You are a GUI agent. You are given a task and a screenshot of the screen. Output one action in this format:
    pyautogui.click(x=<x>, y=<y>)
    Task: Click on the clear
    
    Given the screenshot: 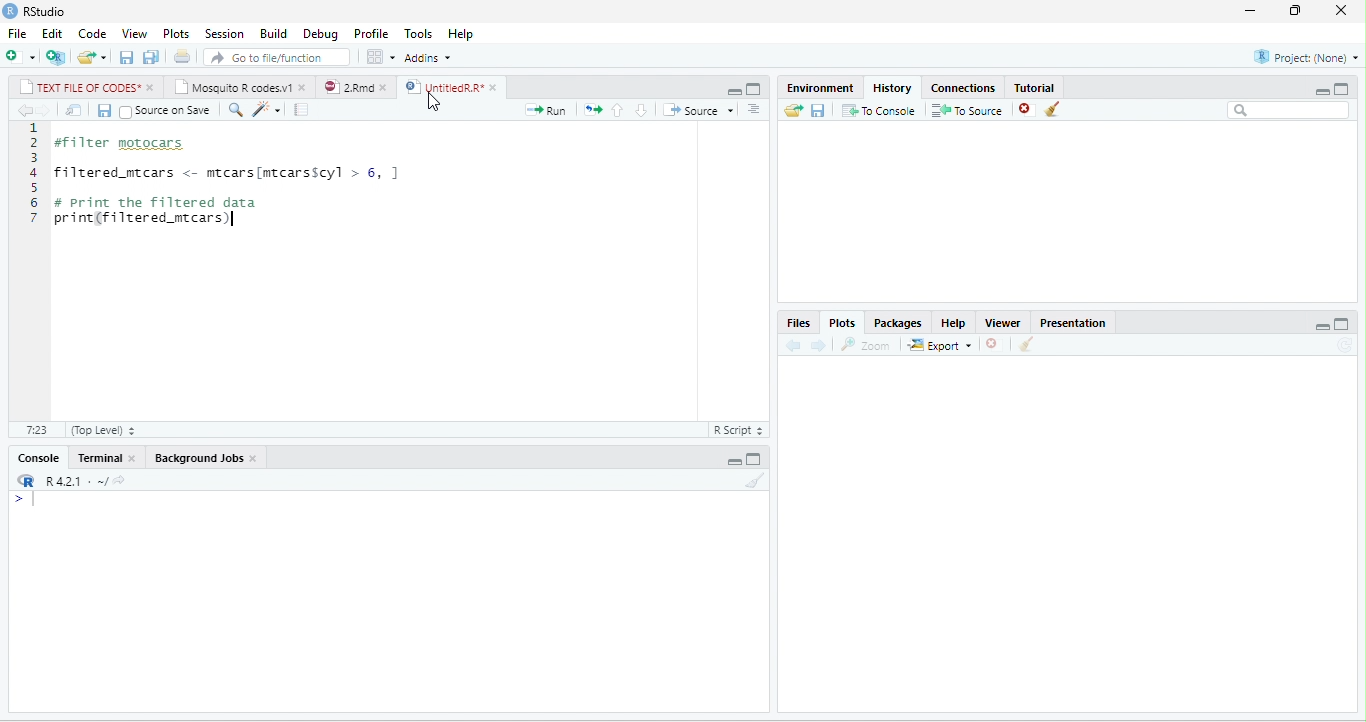 What is the action you would take?
    pyautogui.click(x=756, y=480)
    